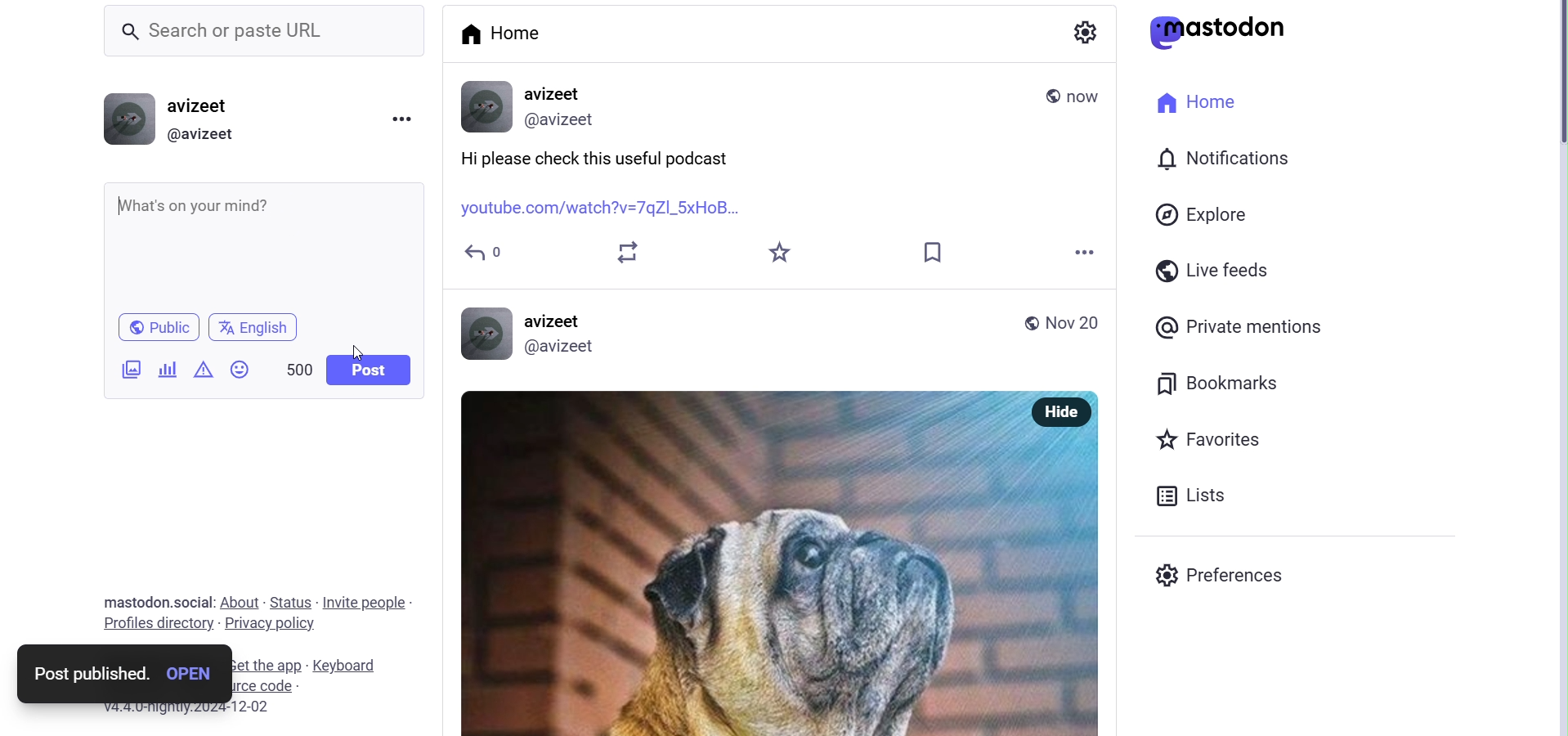  What do you see at coordinates (353, 663) in the screenshot?
I see `keyboard` at bounding box center [353, 663].